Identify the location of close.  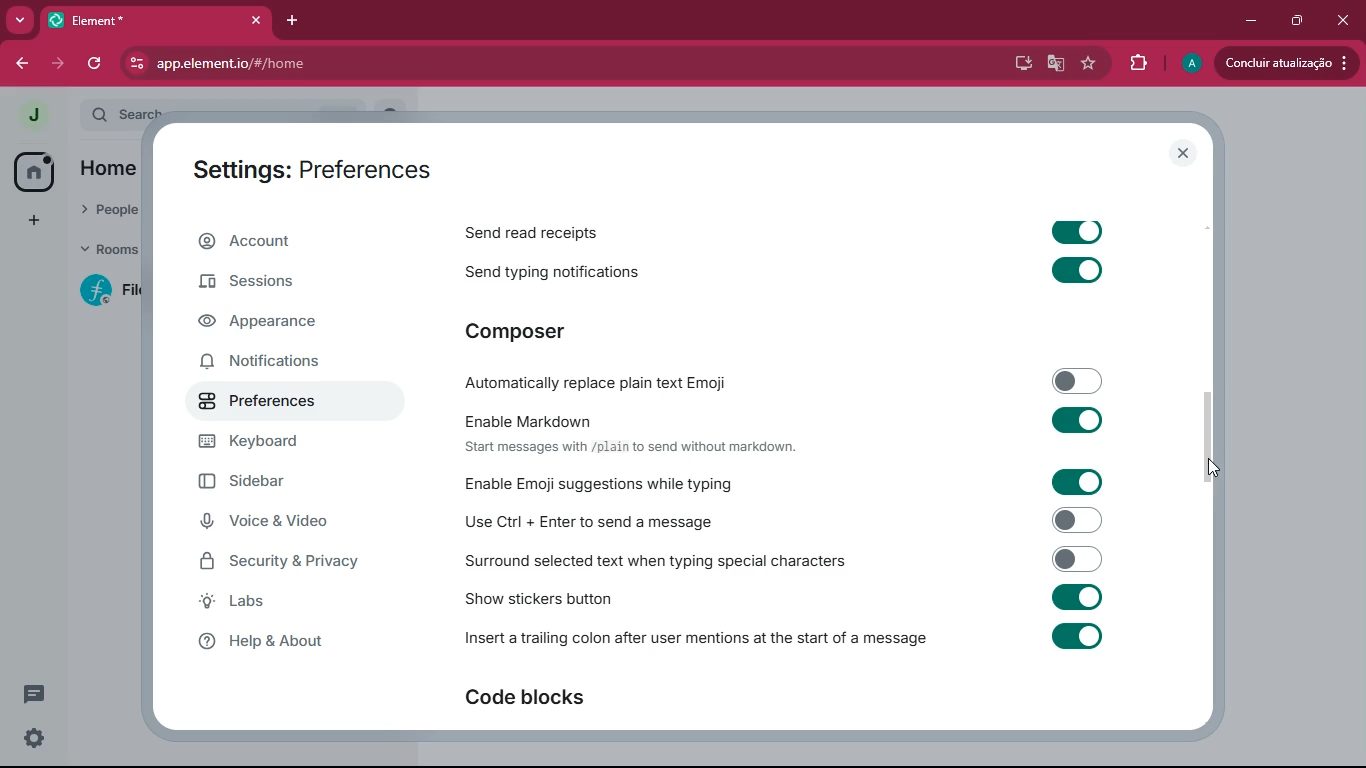
(1185, 153).